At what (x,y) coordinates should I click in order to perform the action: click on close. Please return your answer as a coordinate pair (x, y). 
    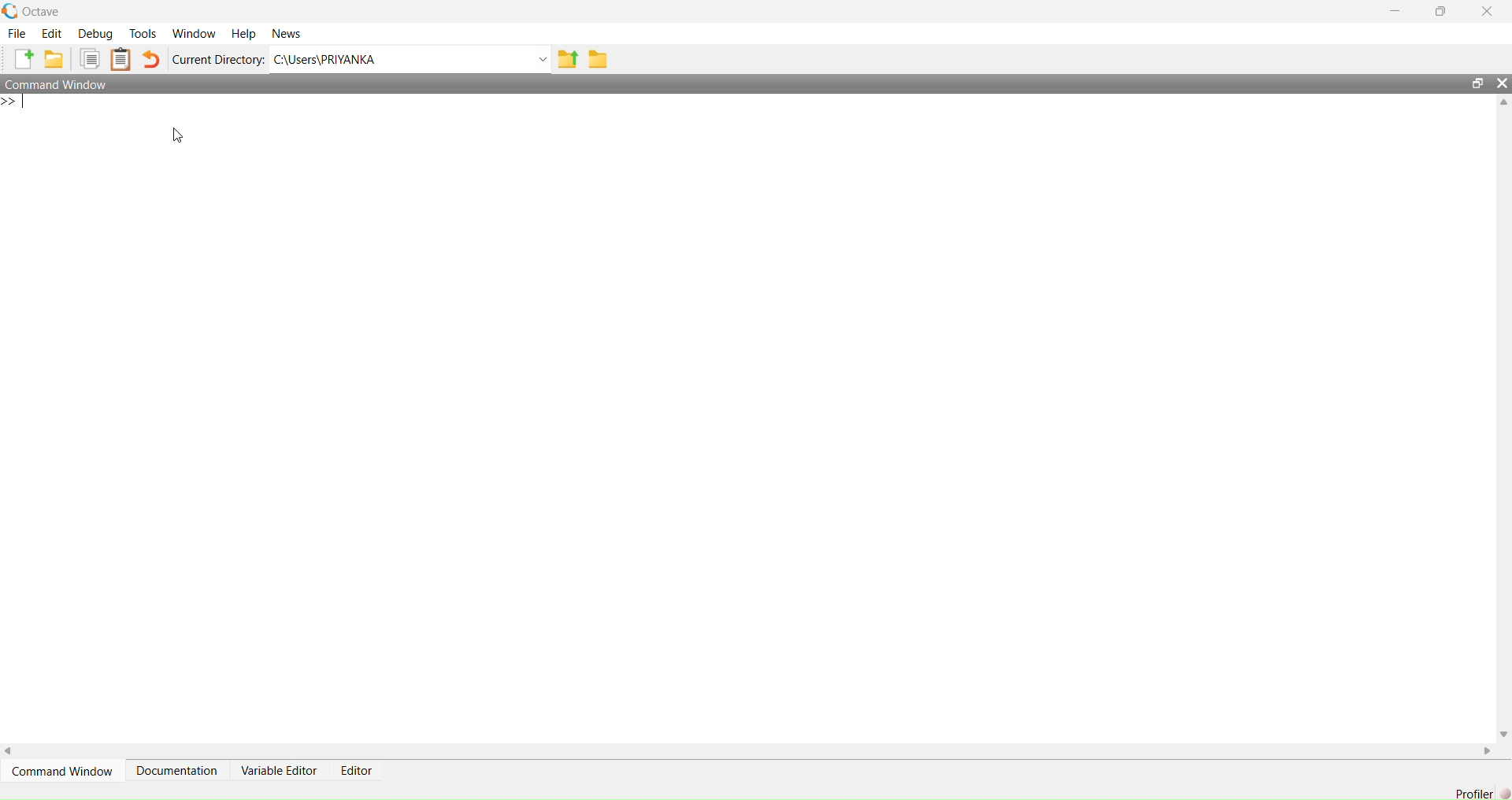
    Looking at the image, I should click on (1502, 83).